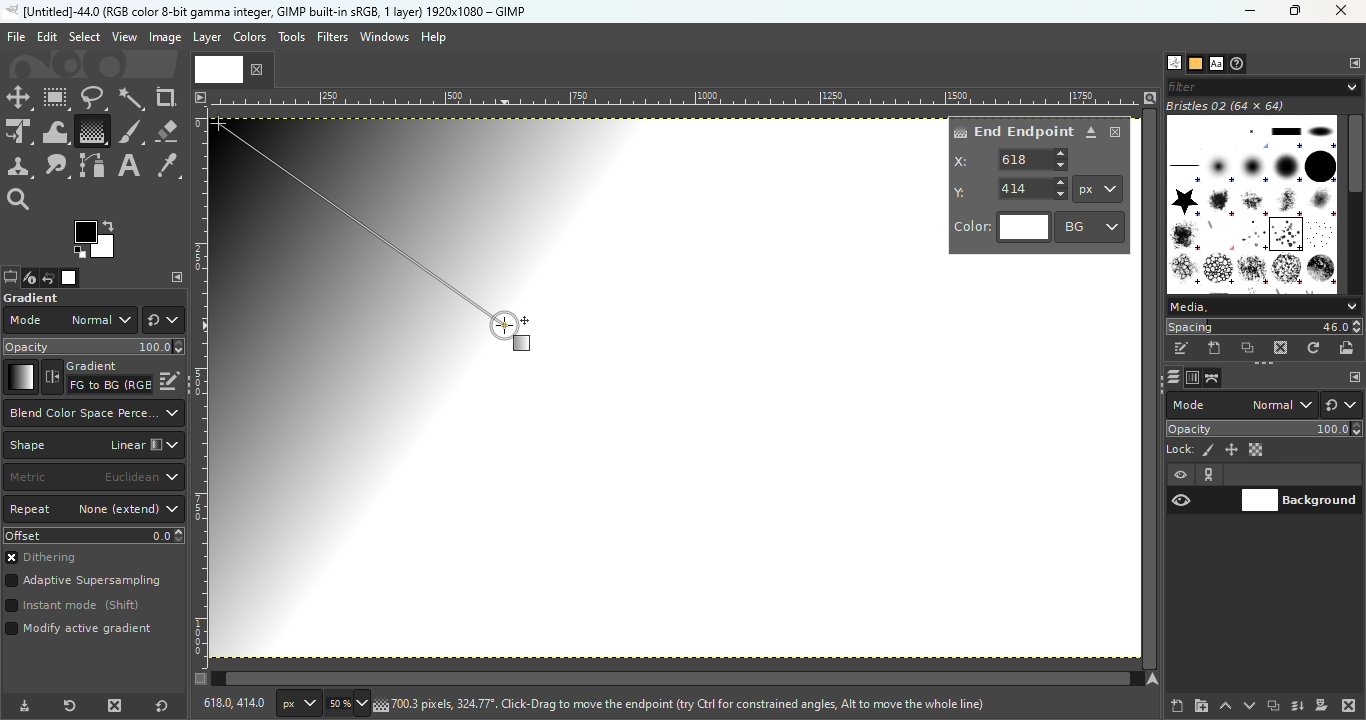 Image resolution: width=1366 pixels, height=720 pixels. Describe the element at coordinates (125, 37) in the screenshot. I see `View` at that location.